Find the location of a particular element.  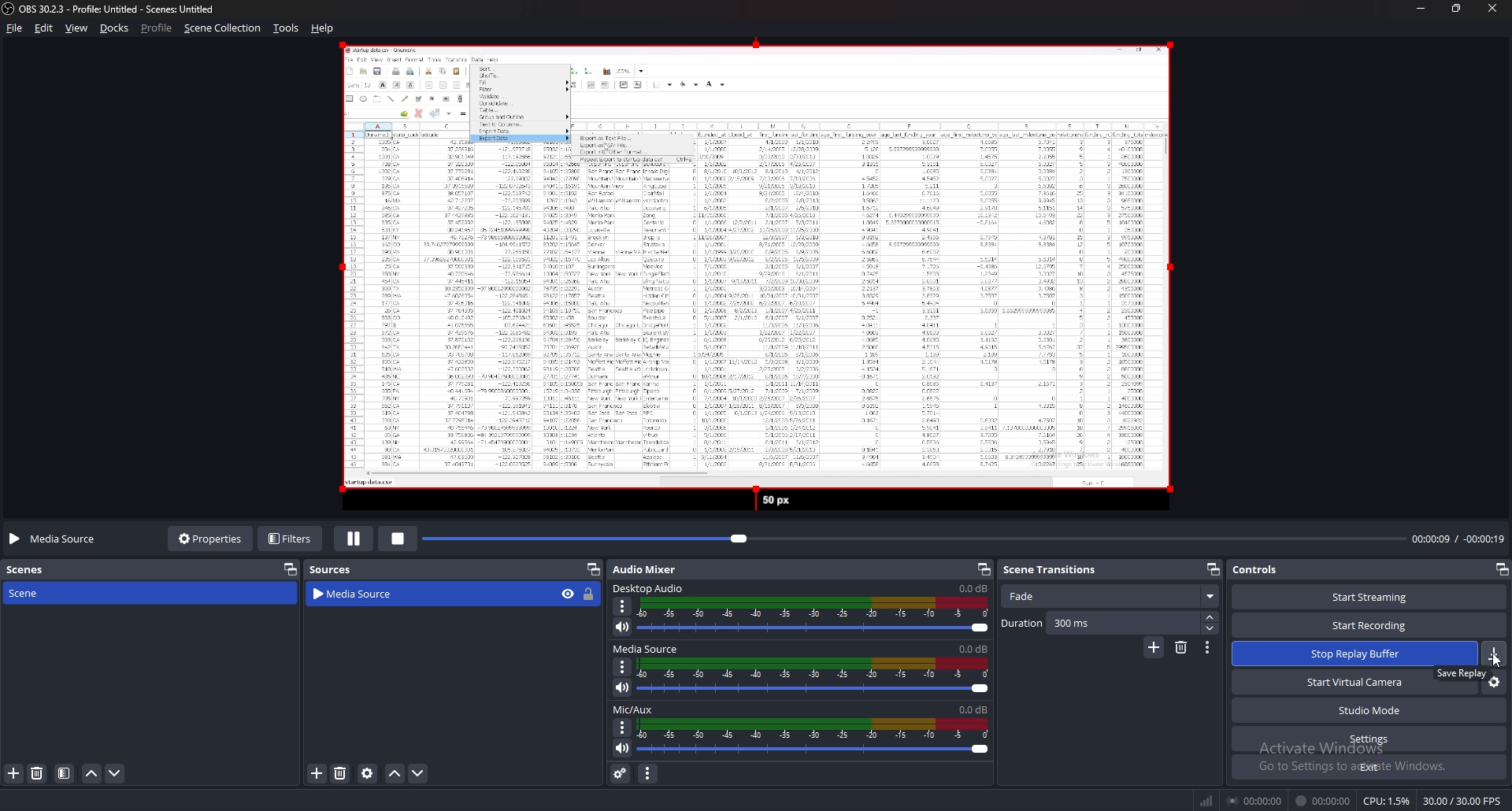

pop out is located at coordinates (1501, 569).